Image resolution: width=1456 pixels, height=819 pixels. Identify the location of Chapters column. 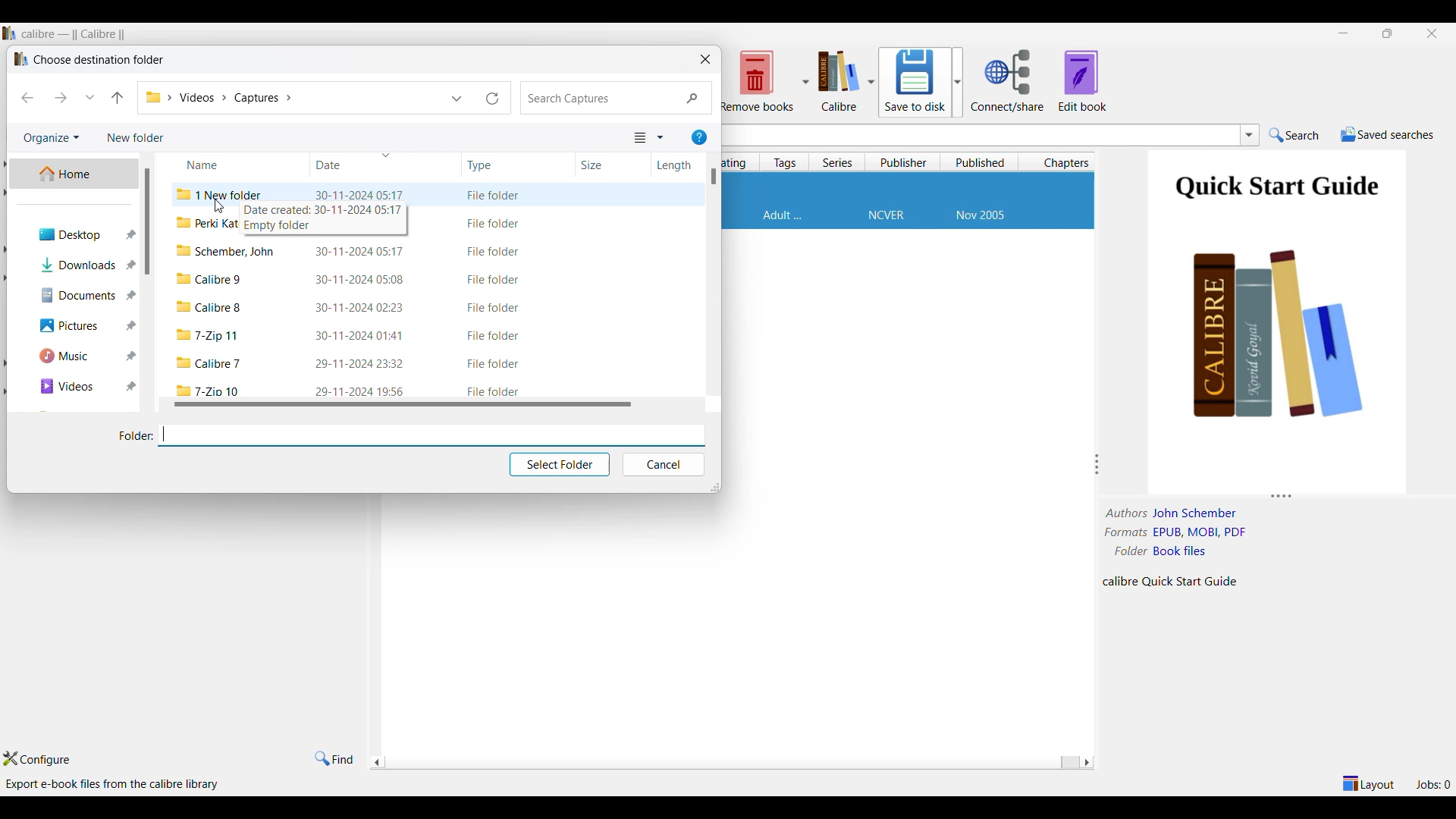
(1062, 162).